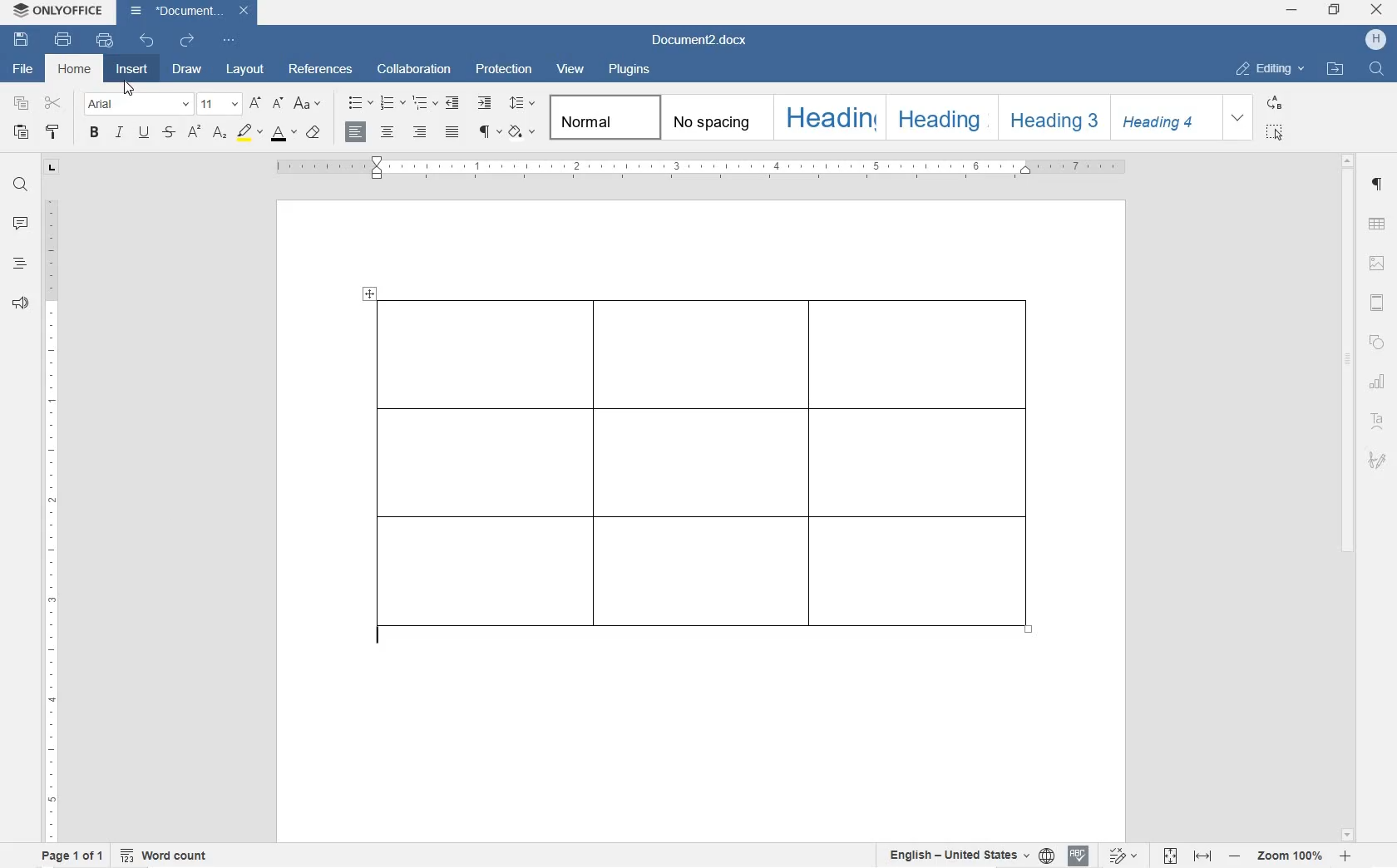  I want to click on justified, so click(451, 133).